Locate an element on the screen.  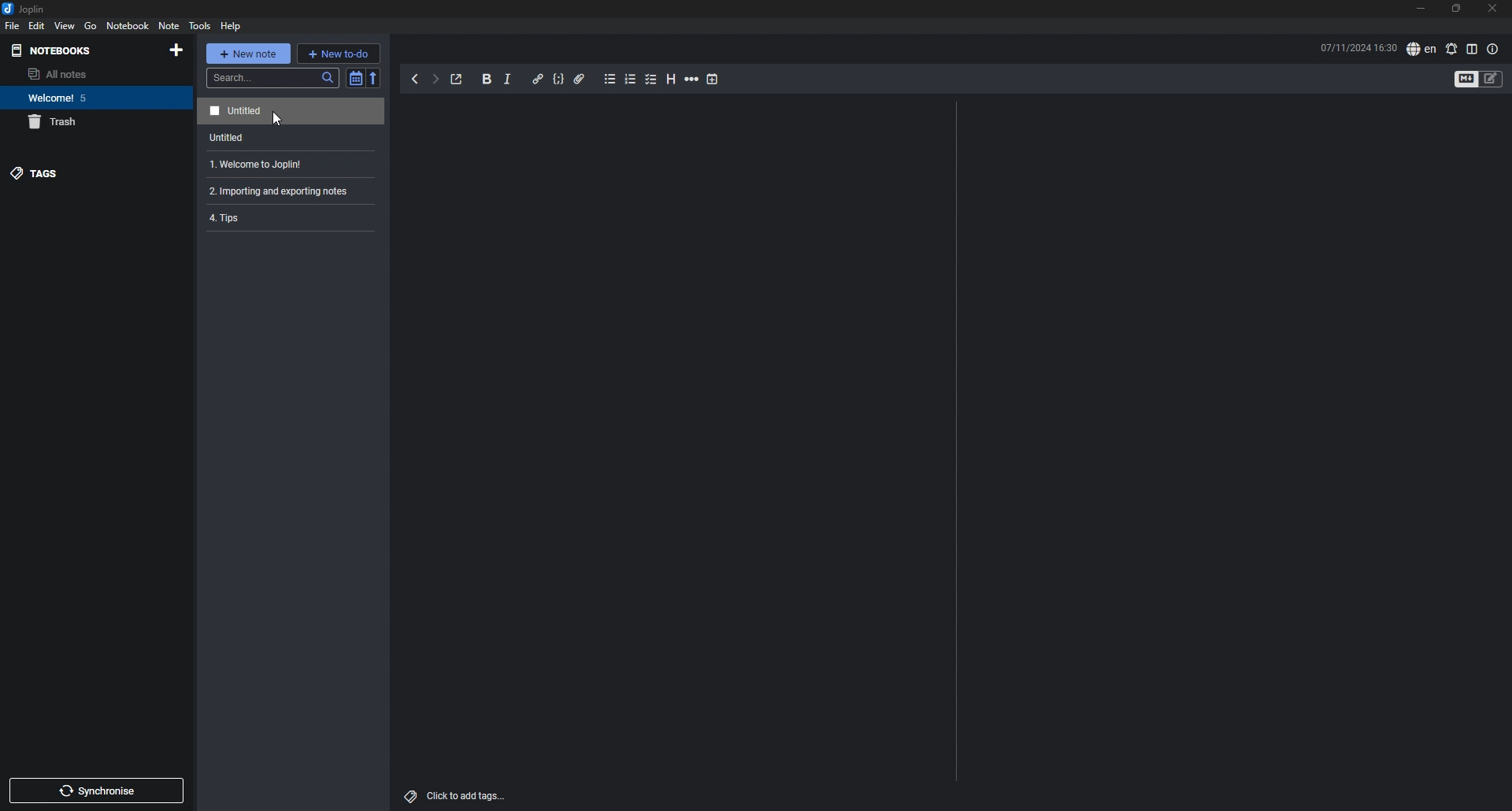
add time is located at coordinates (713, 79).